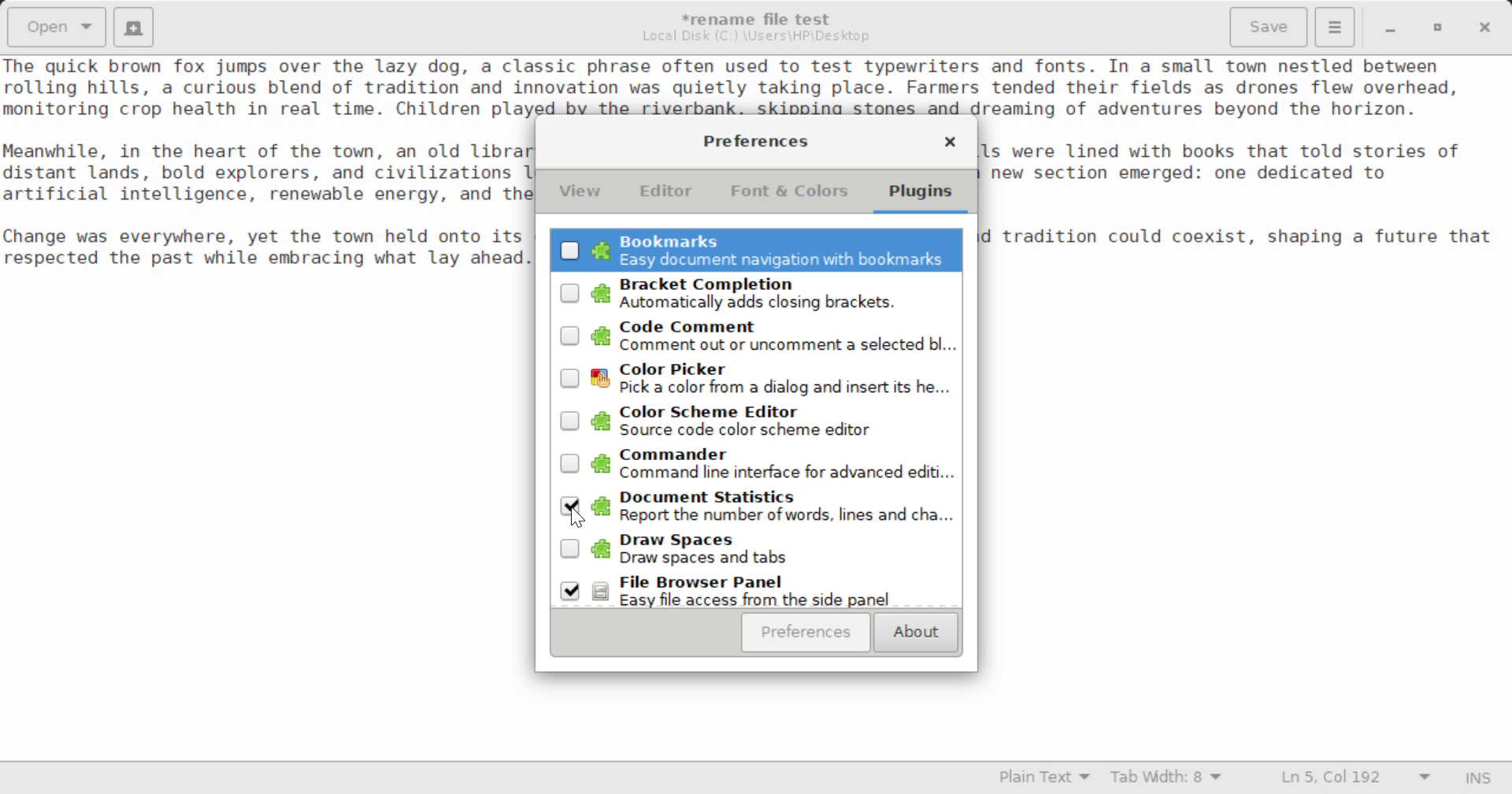  Describe the element at coordinates (758, 466) in the screenshot. I see `Unselected Commander Plugin` at that location.